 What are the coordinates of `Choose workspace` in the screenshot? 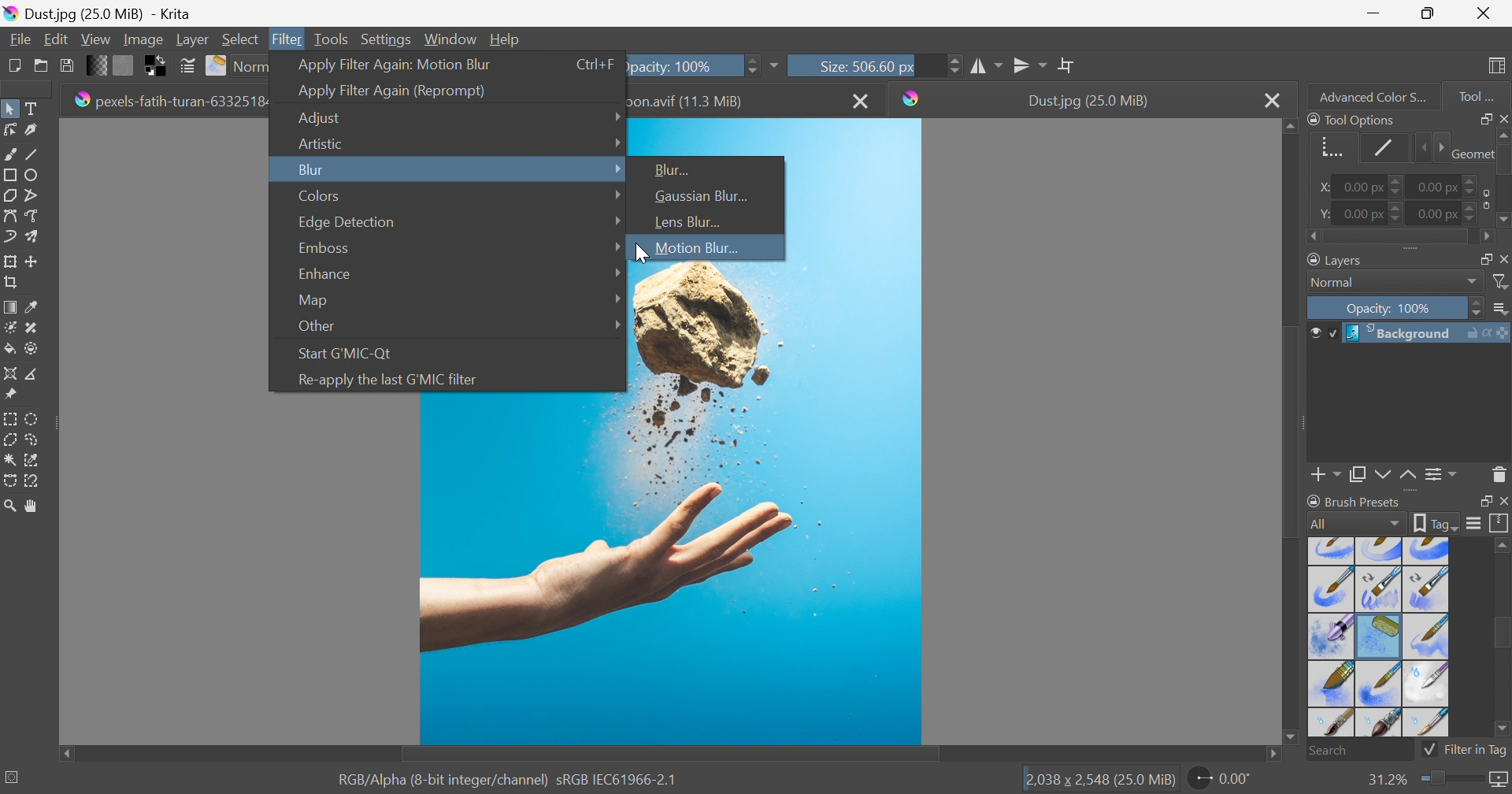 It's located at (1499, 66).